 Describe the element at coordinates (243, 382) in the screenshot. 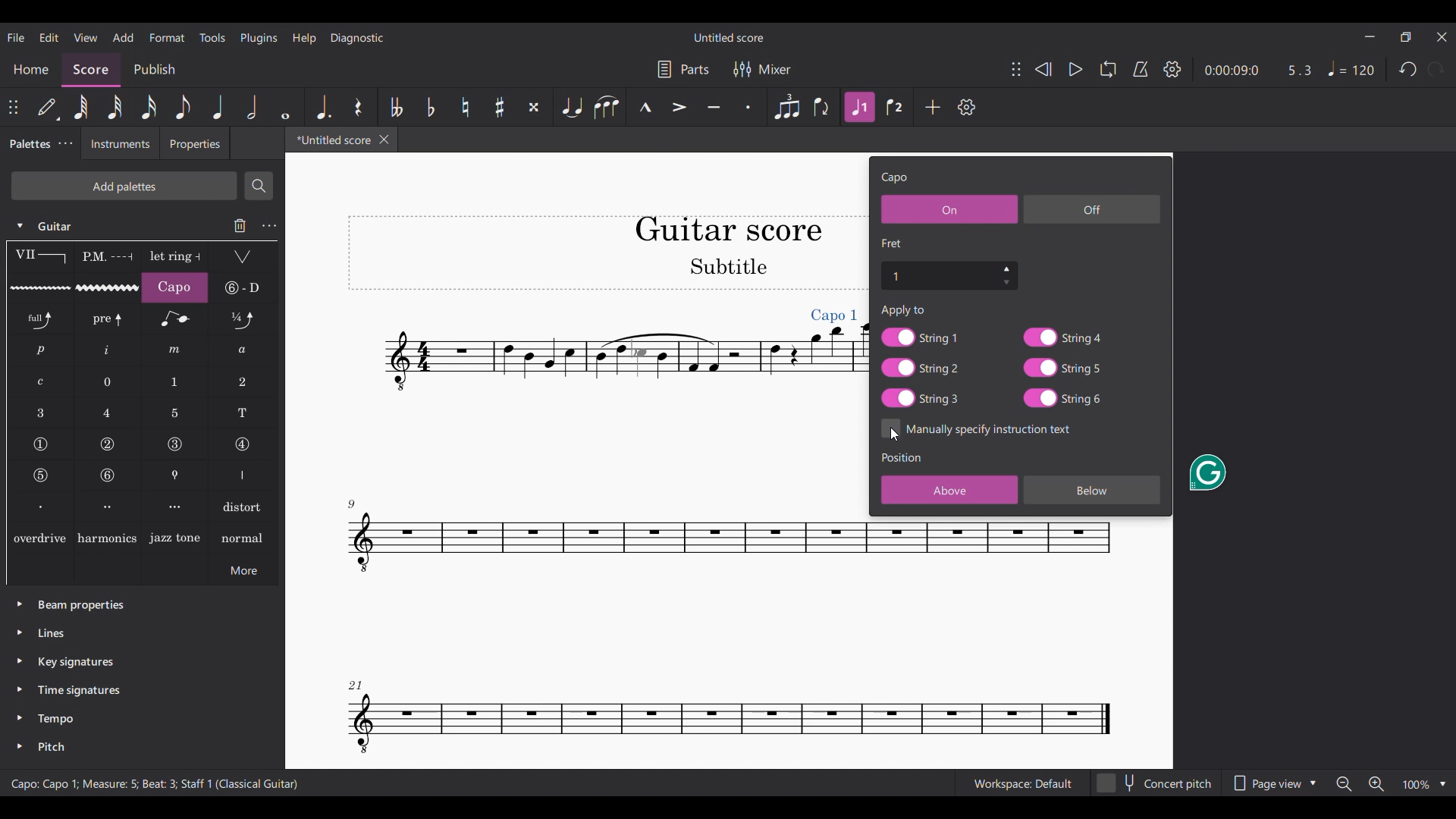

I see `LH guitar fingering 2` at that location.